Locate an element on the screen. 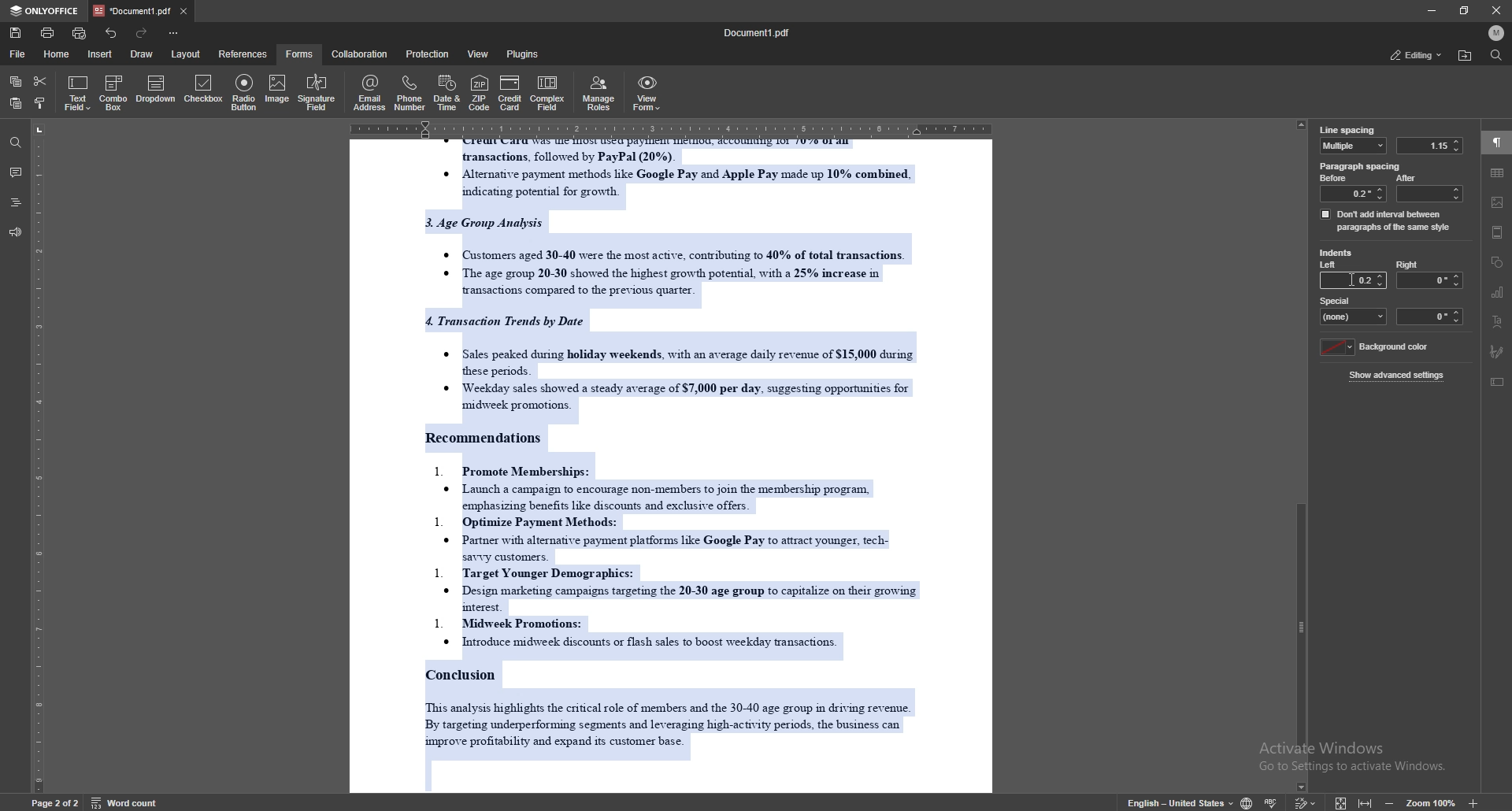  left indent value: 0.2 is located at coordinates (1367, 280).